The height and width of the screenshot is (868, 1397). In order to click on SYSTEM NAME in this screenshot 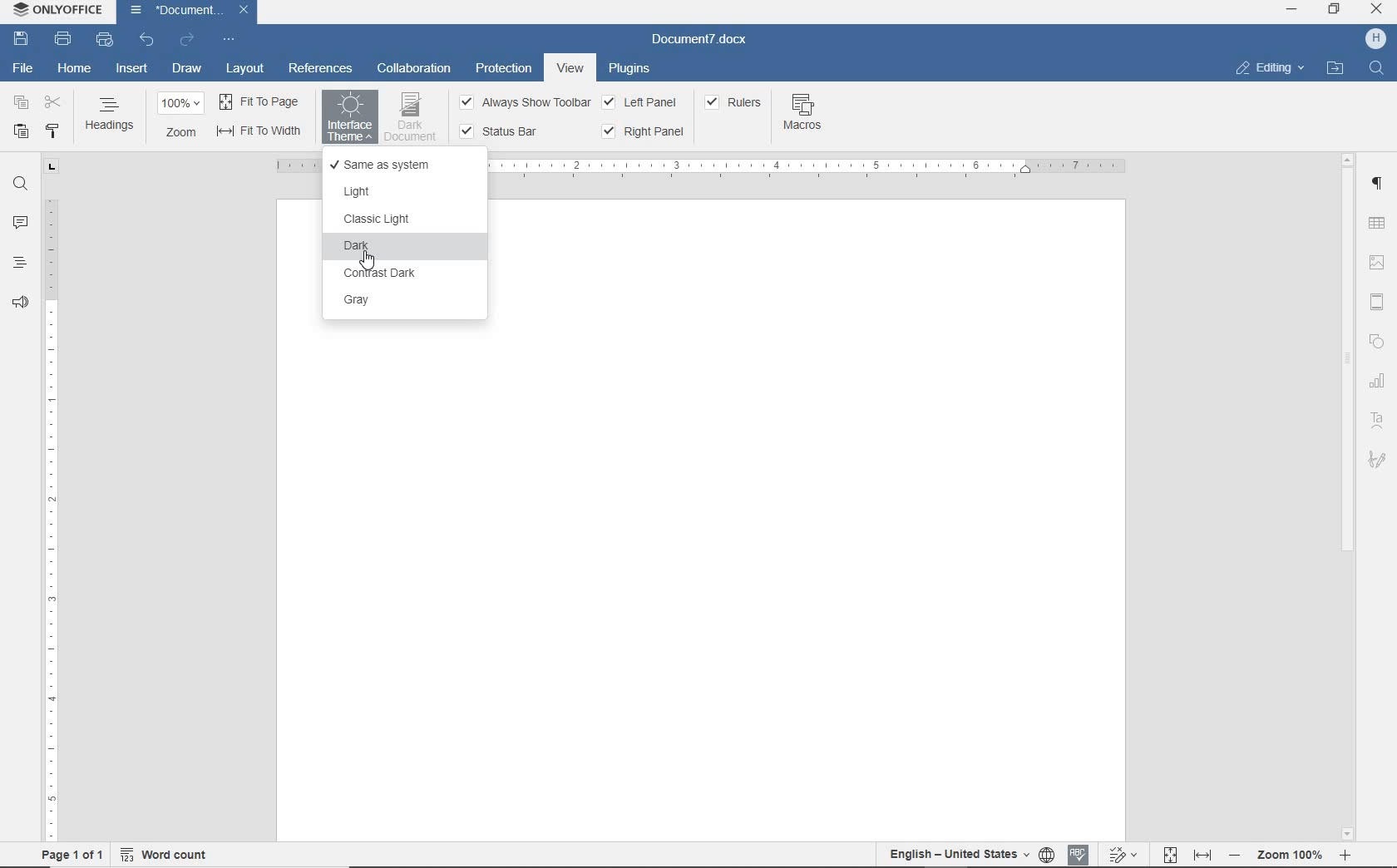, I will do `click(55, 12)`.